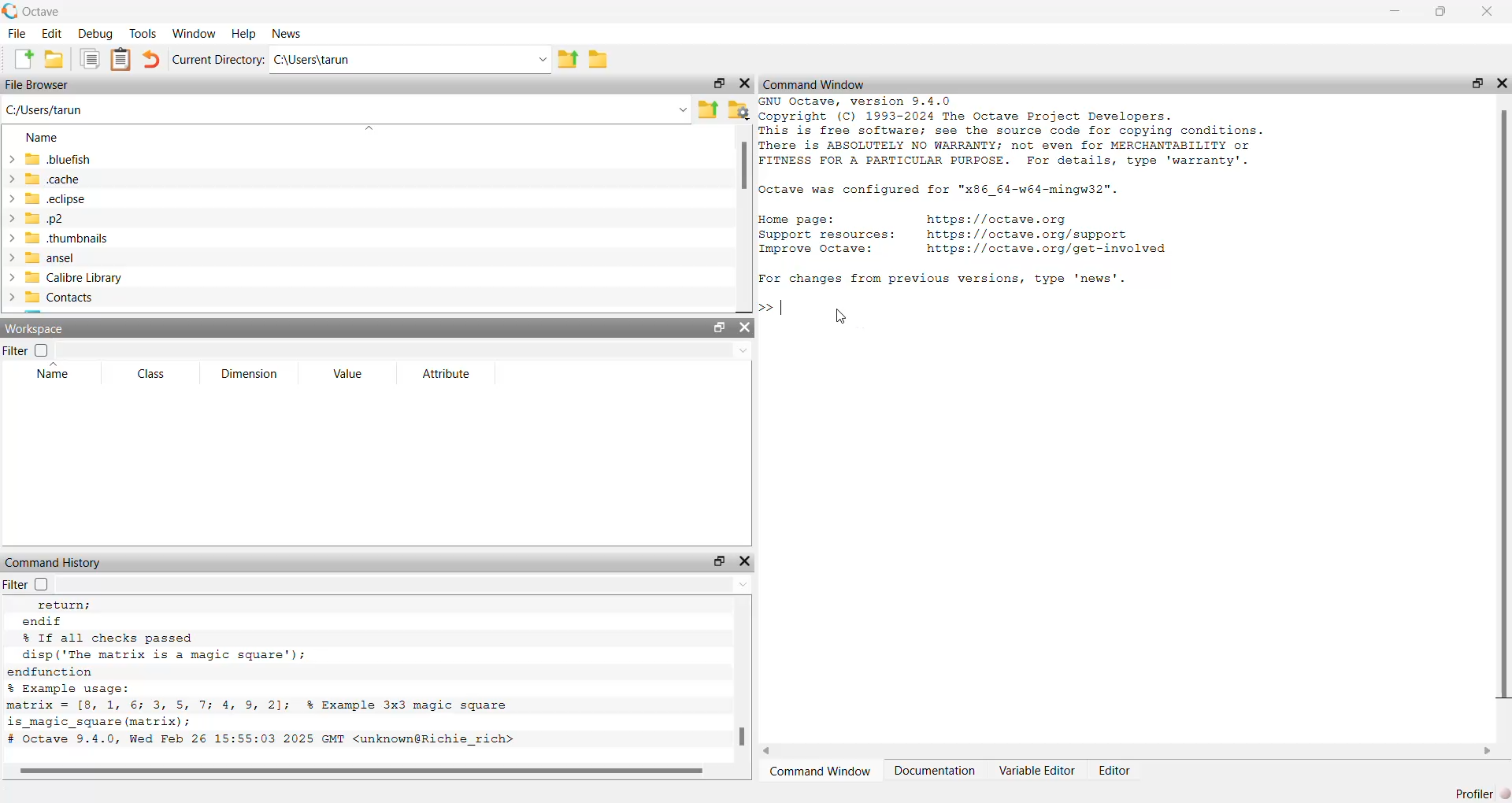 This screenshot has width=1512, height=803. I want to click on Command History, so click(53, 563).